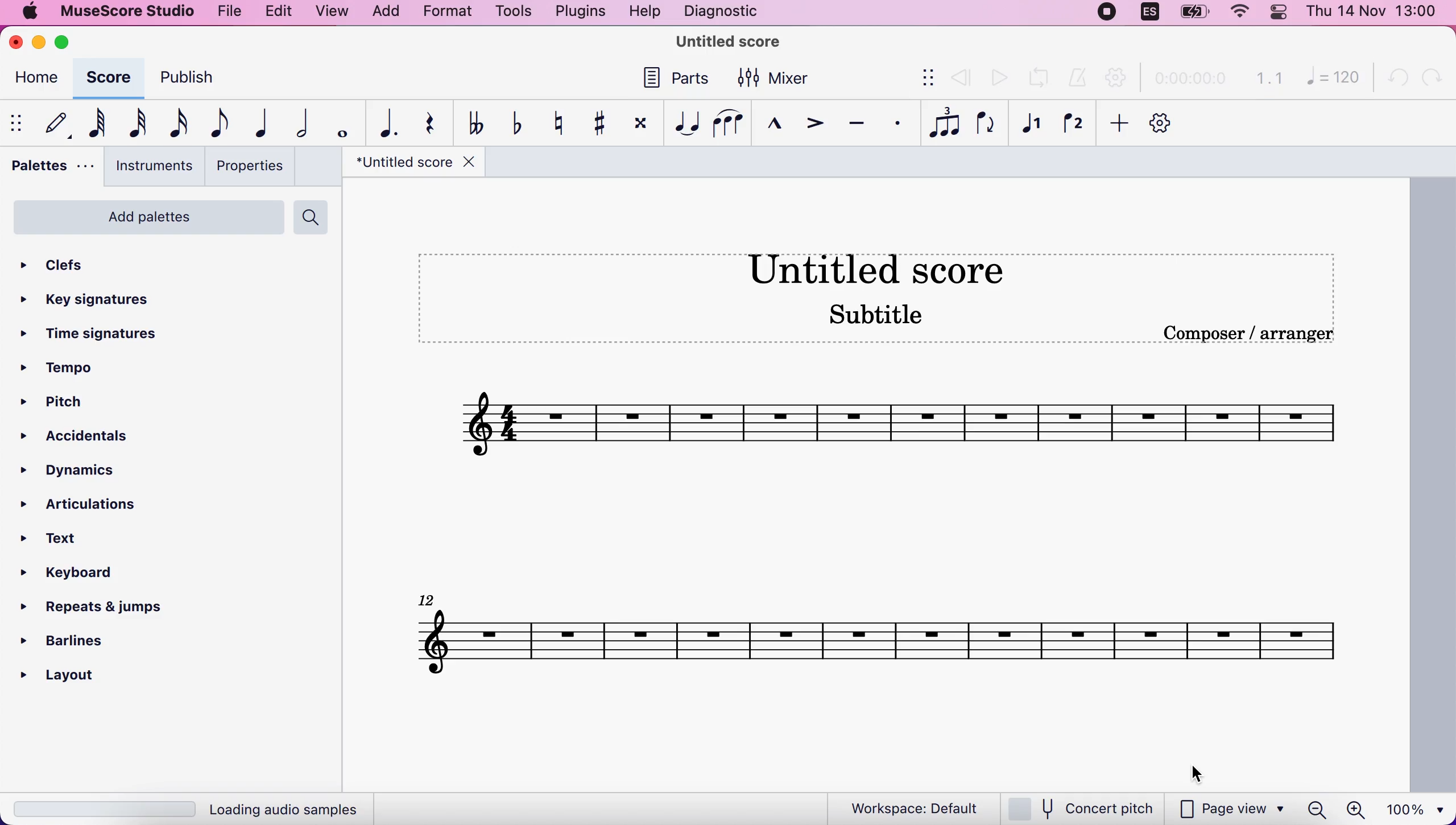 This screenshot has height=825, width=1456. Describe the element at coordinates (1355, 808) in the screenshot. I see `zoom in` at that location.